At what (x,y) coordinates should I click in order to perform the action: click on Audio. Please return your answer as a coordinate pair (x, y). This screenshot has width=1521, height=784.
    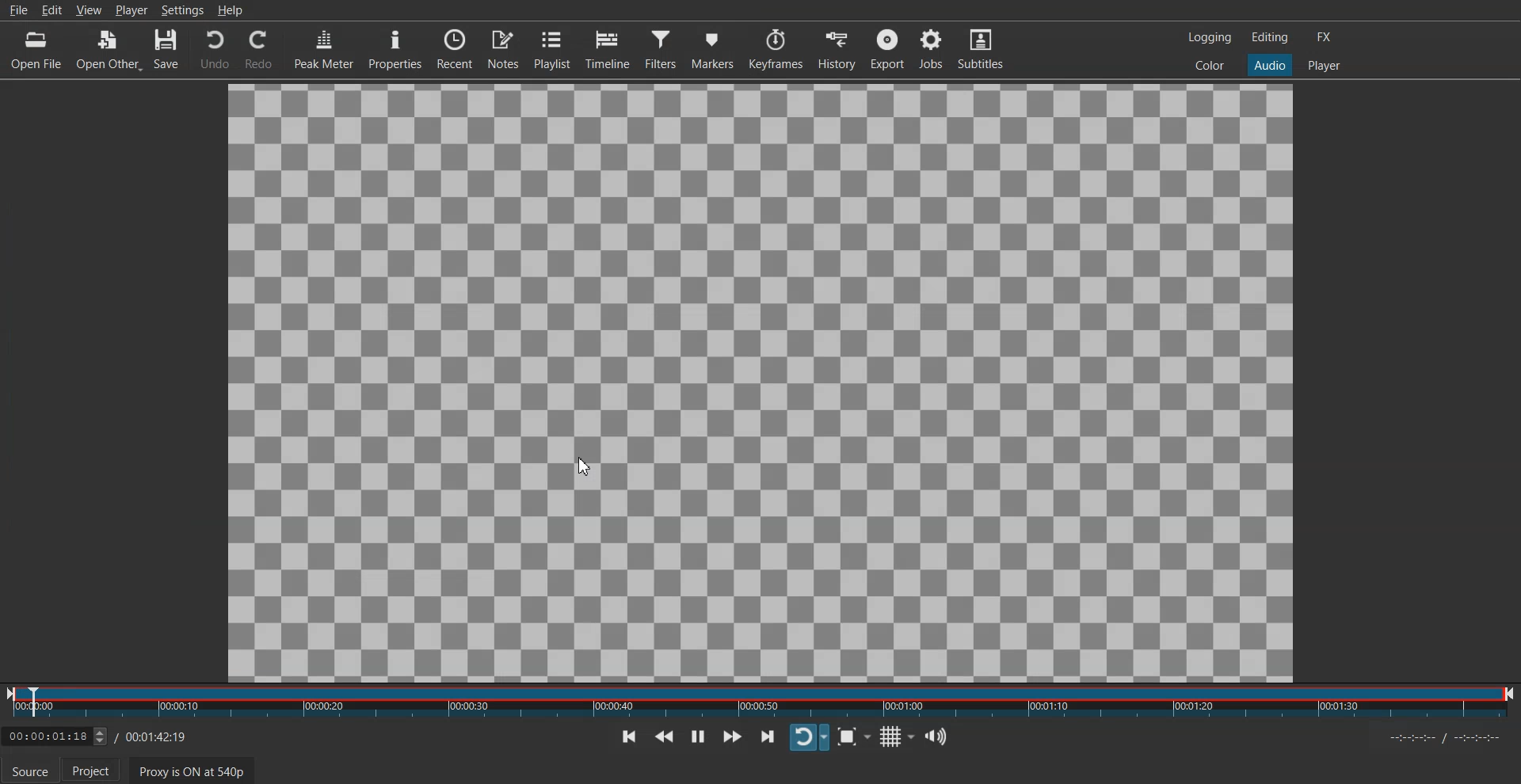
    Looking at the image, I should click on (1270, 66).